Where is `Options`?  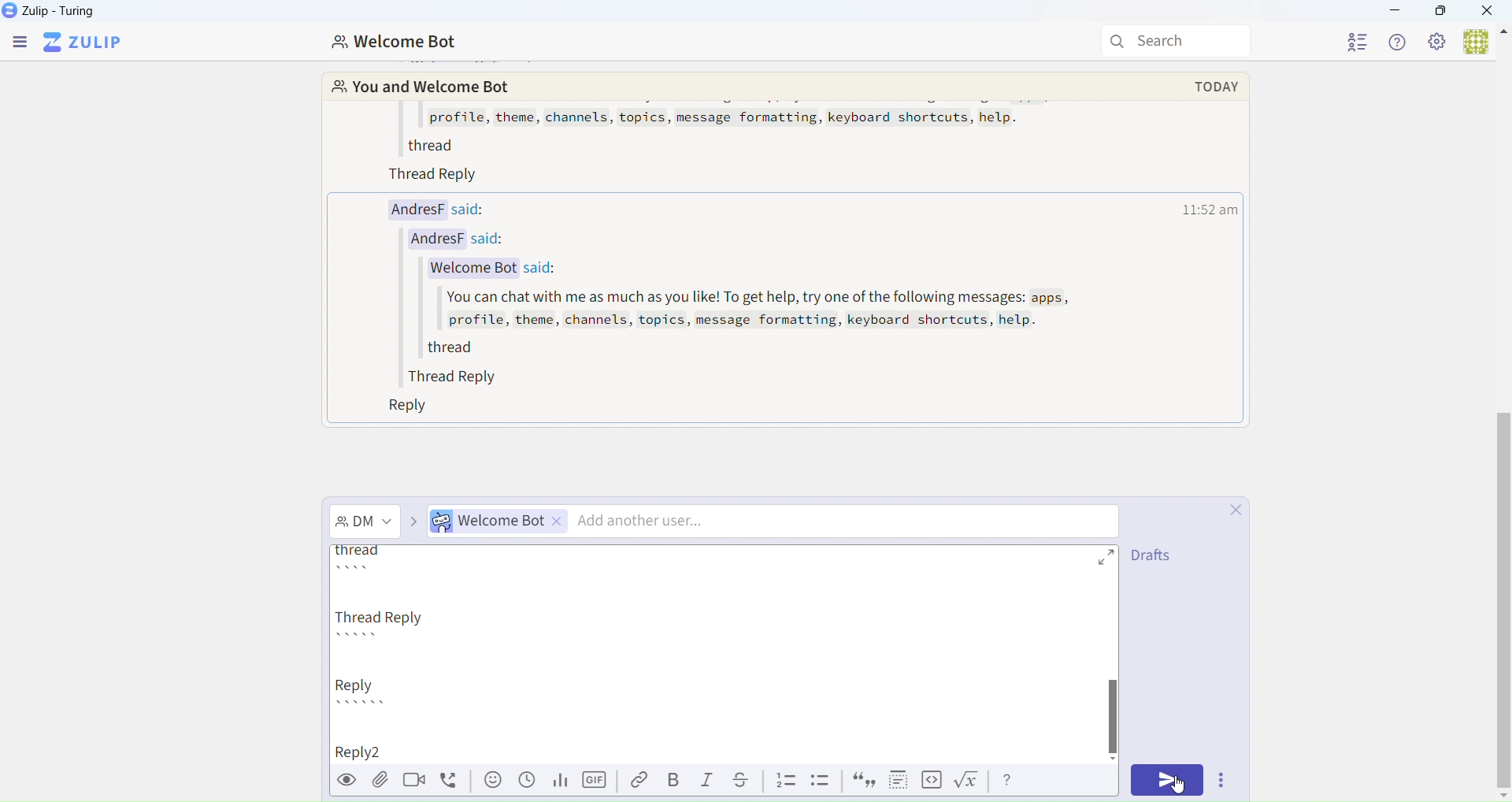
Options is located at coordinates (1221, 779).